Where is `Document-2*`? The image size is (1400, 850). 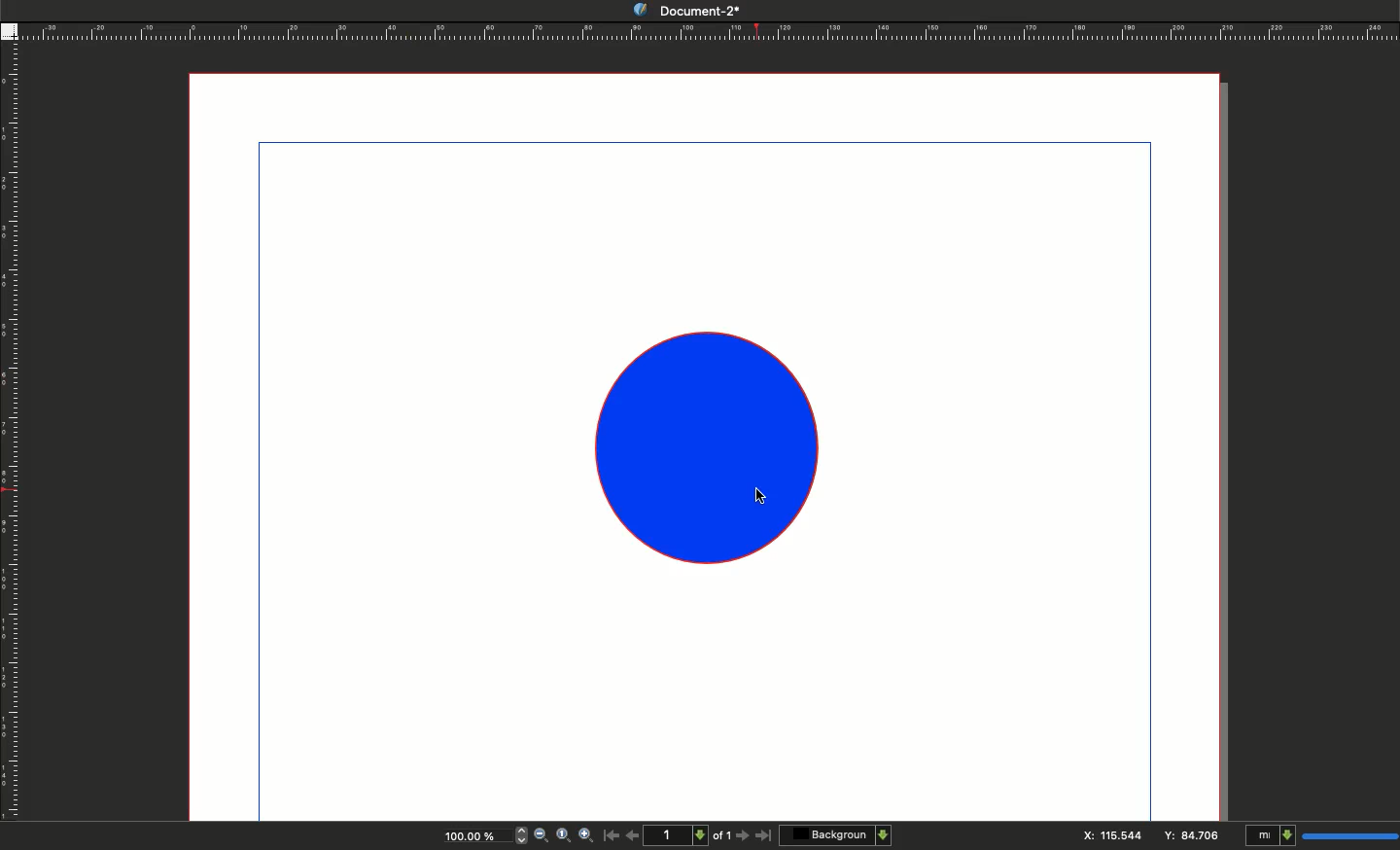
Document-2* is located at coordinates (673, 10).